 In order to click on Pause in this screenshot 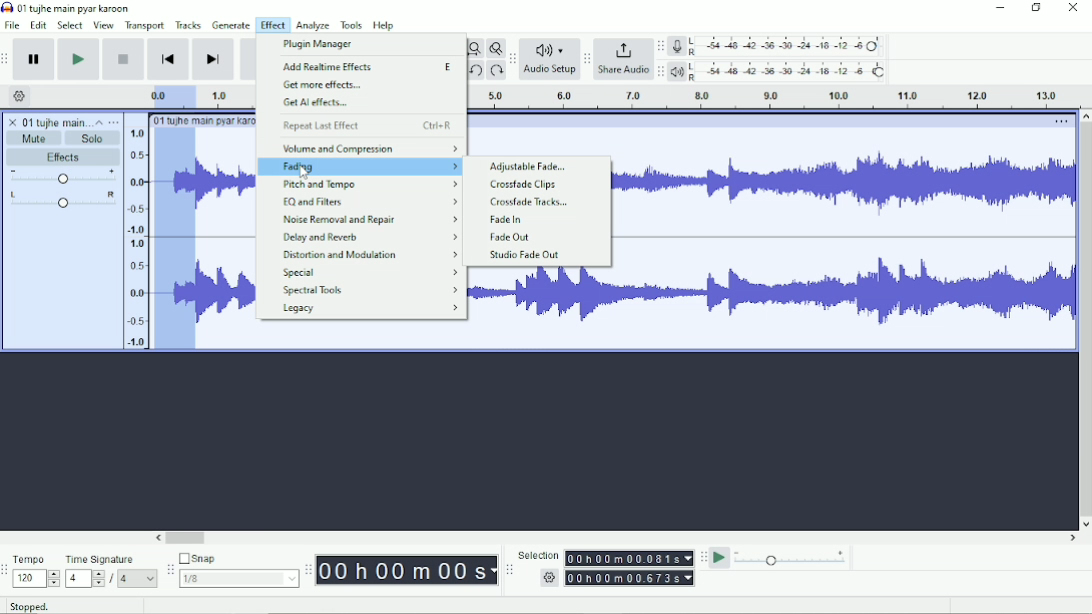, I will do `click(35, 60)`.